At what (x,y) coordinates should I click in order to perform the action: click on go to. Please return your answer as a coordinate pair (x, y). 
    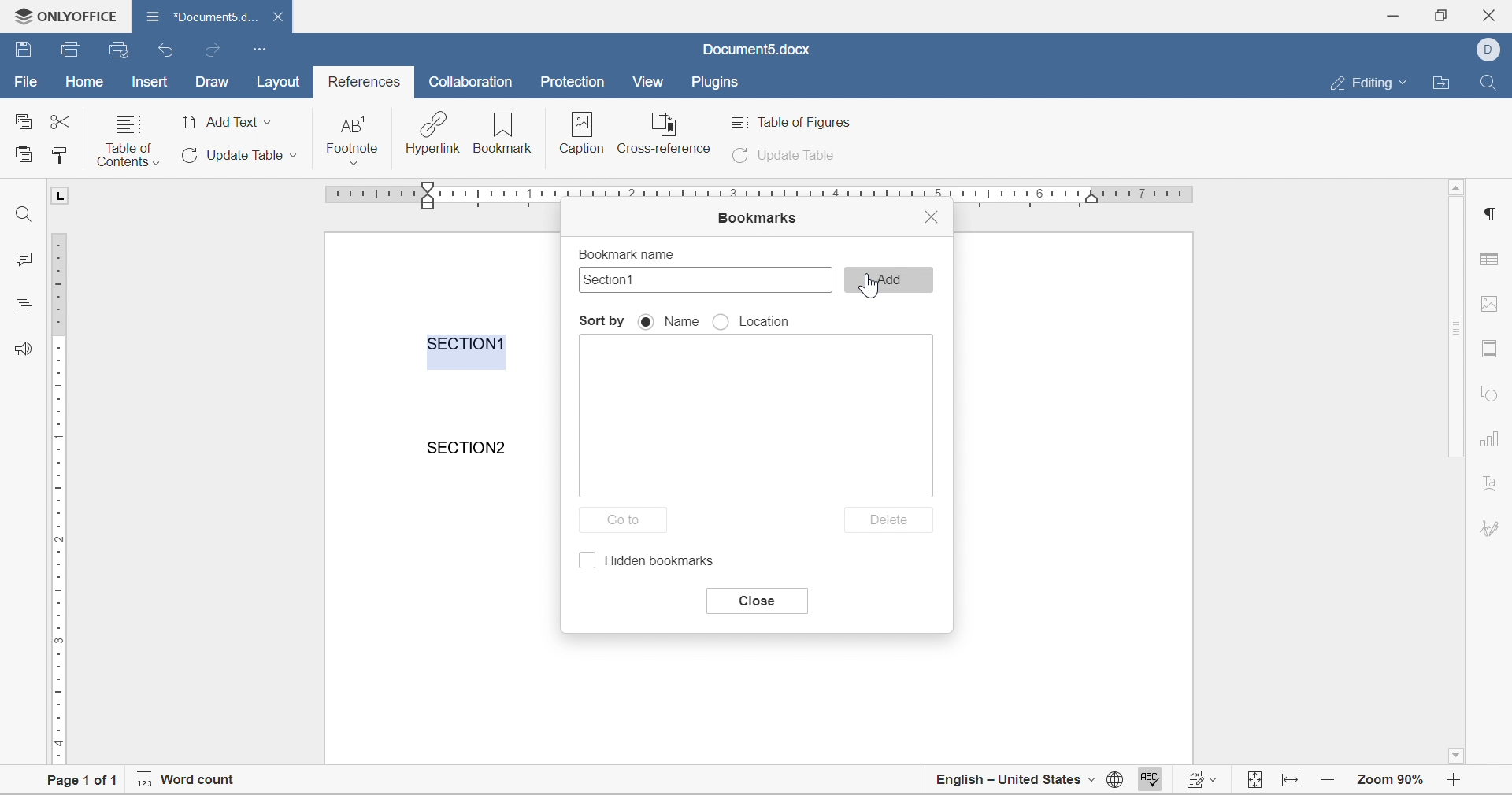
    Looking at the image, I should click on (628, 522).